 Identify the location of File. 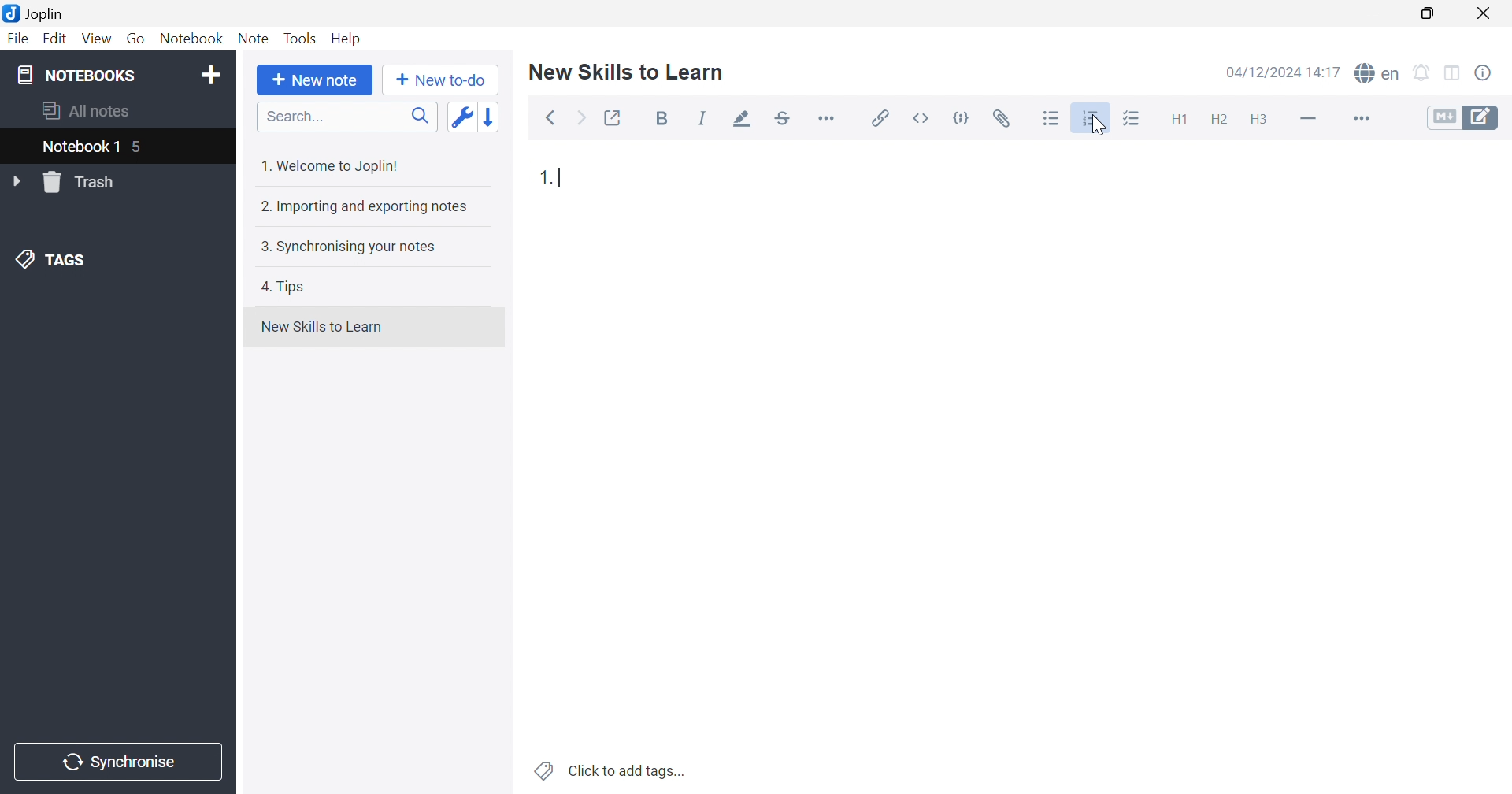
(19, 39).